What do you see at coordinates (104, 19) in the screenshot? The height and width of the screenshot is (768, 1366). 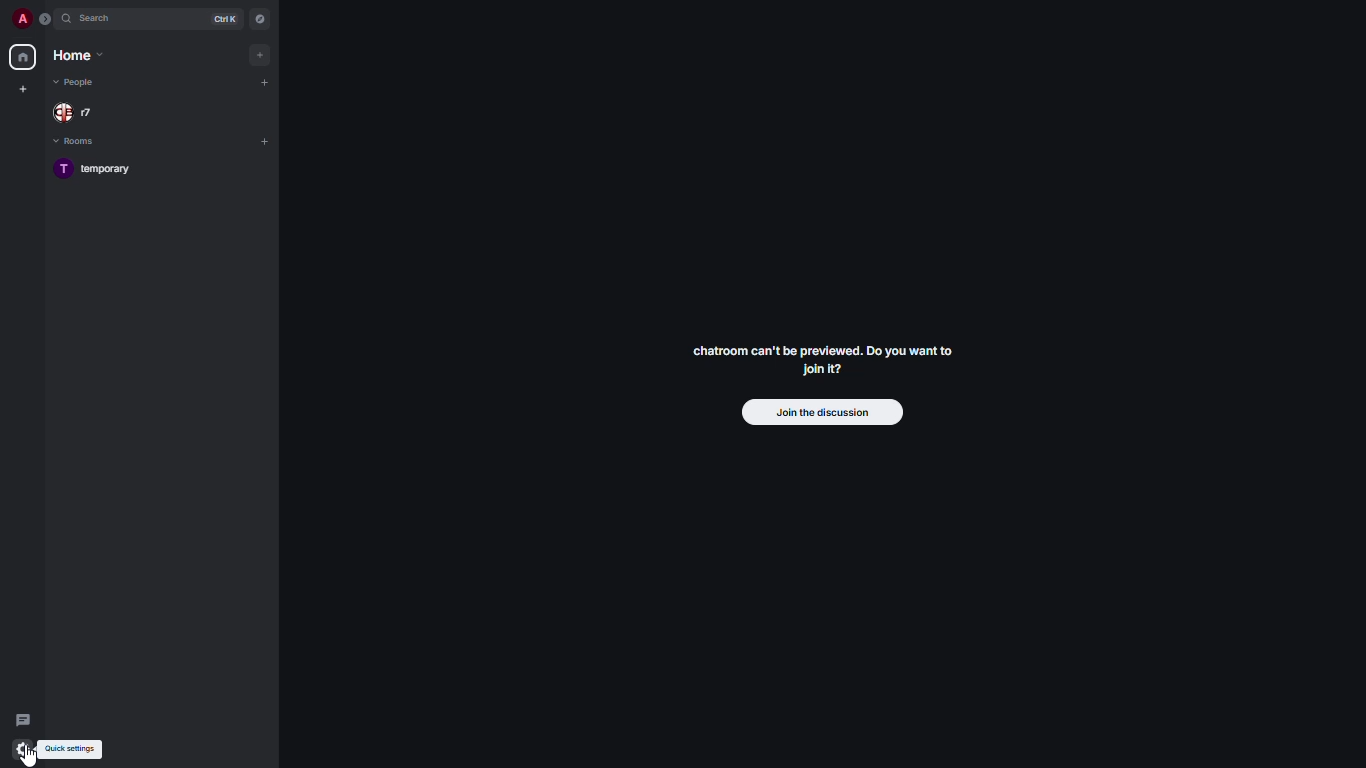 I see `search` at bounding box center [104, 19].